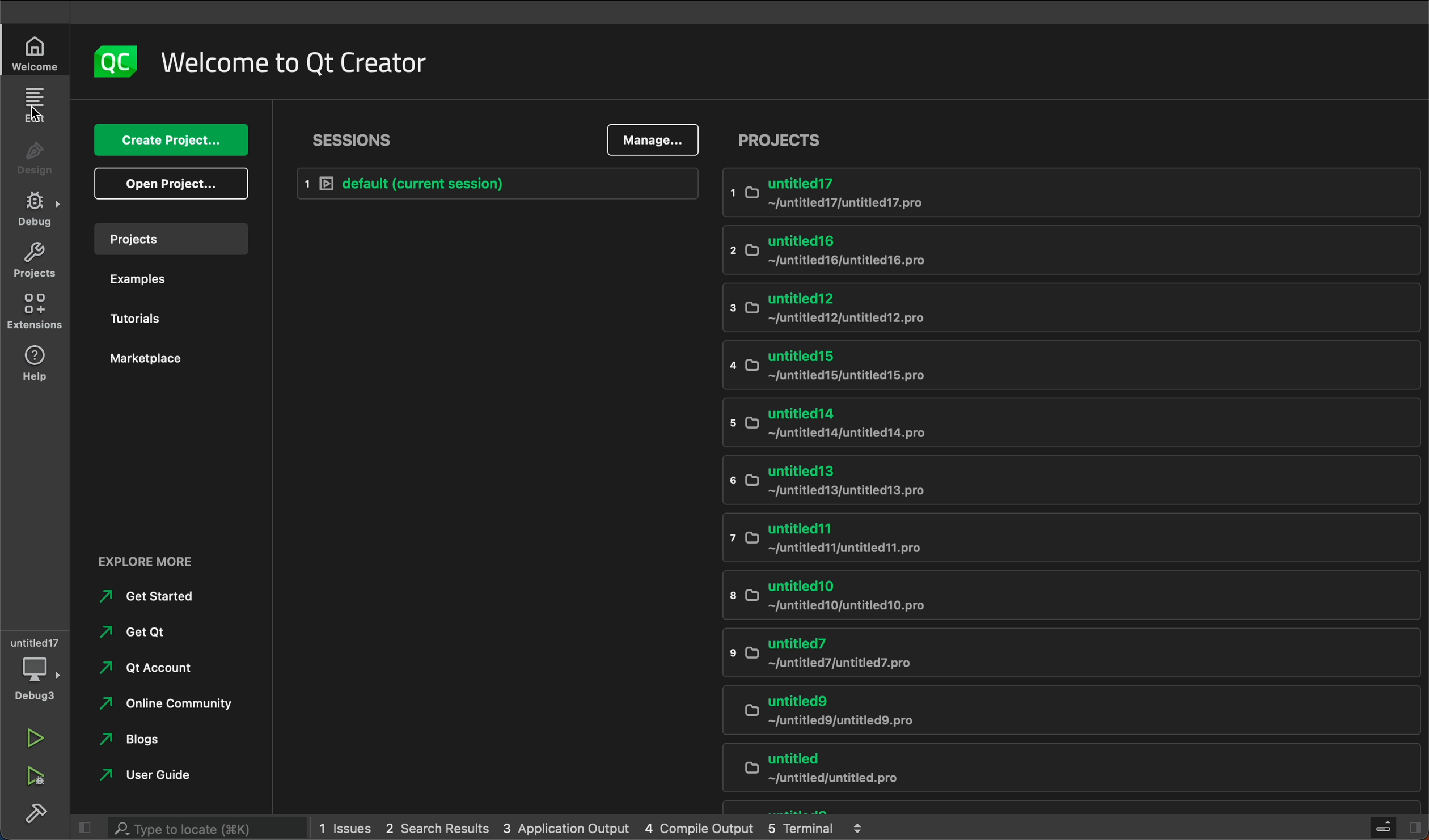  Describe the element at coordinates (169, 321) in the screenshot. I see `tutorials` at that location.